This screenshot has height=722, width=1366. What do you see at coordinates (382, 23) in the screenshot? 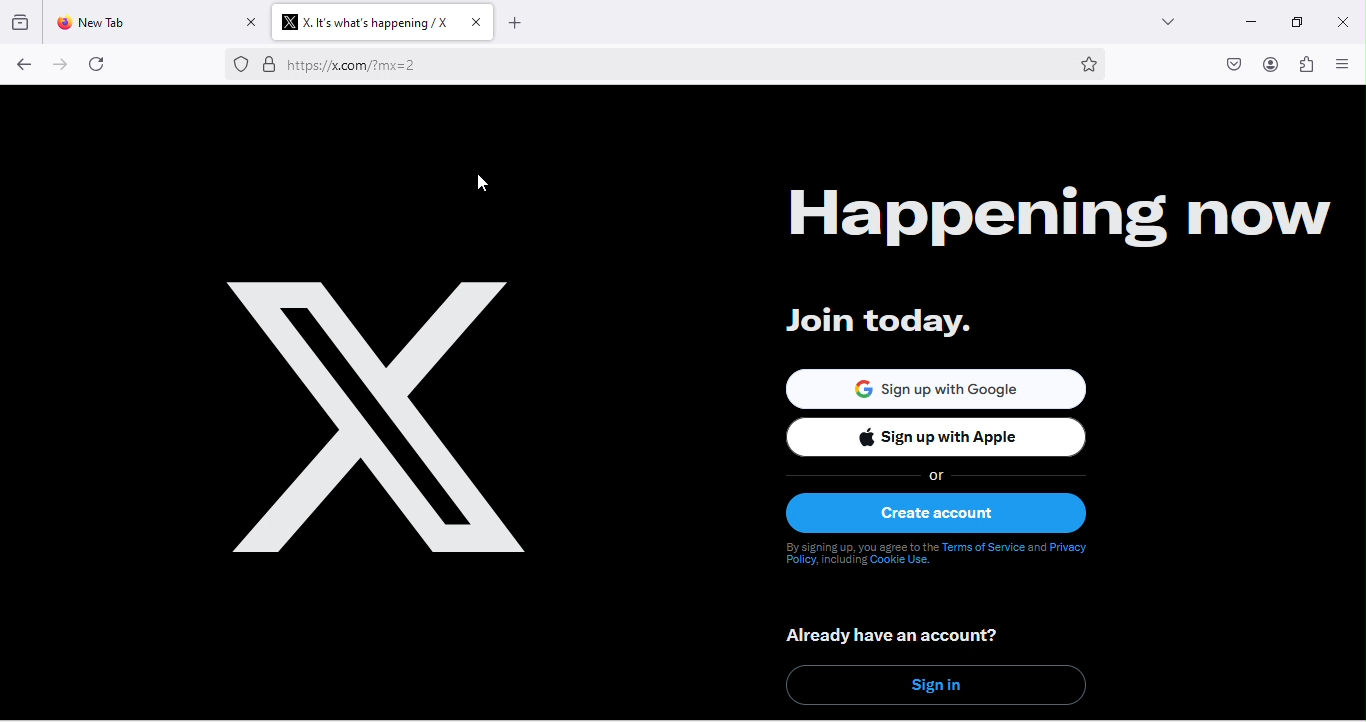
I see `title` at bounding box center [382, 23].